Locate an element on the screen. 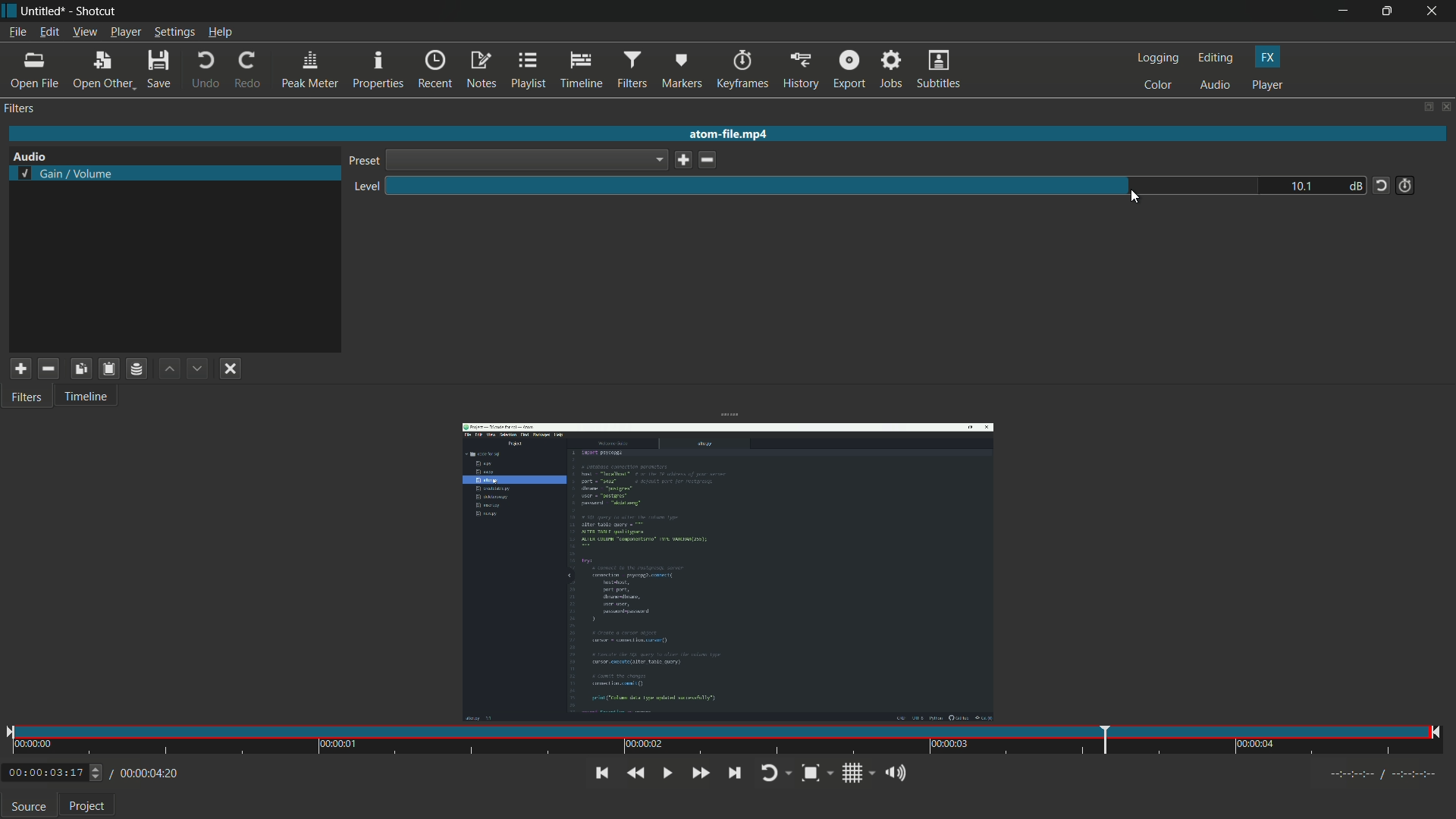 Image resolution: width=1456 pixels, height=819 pixels. fx is located at coordinates (1267, 58).